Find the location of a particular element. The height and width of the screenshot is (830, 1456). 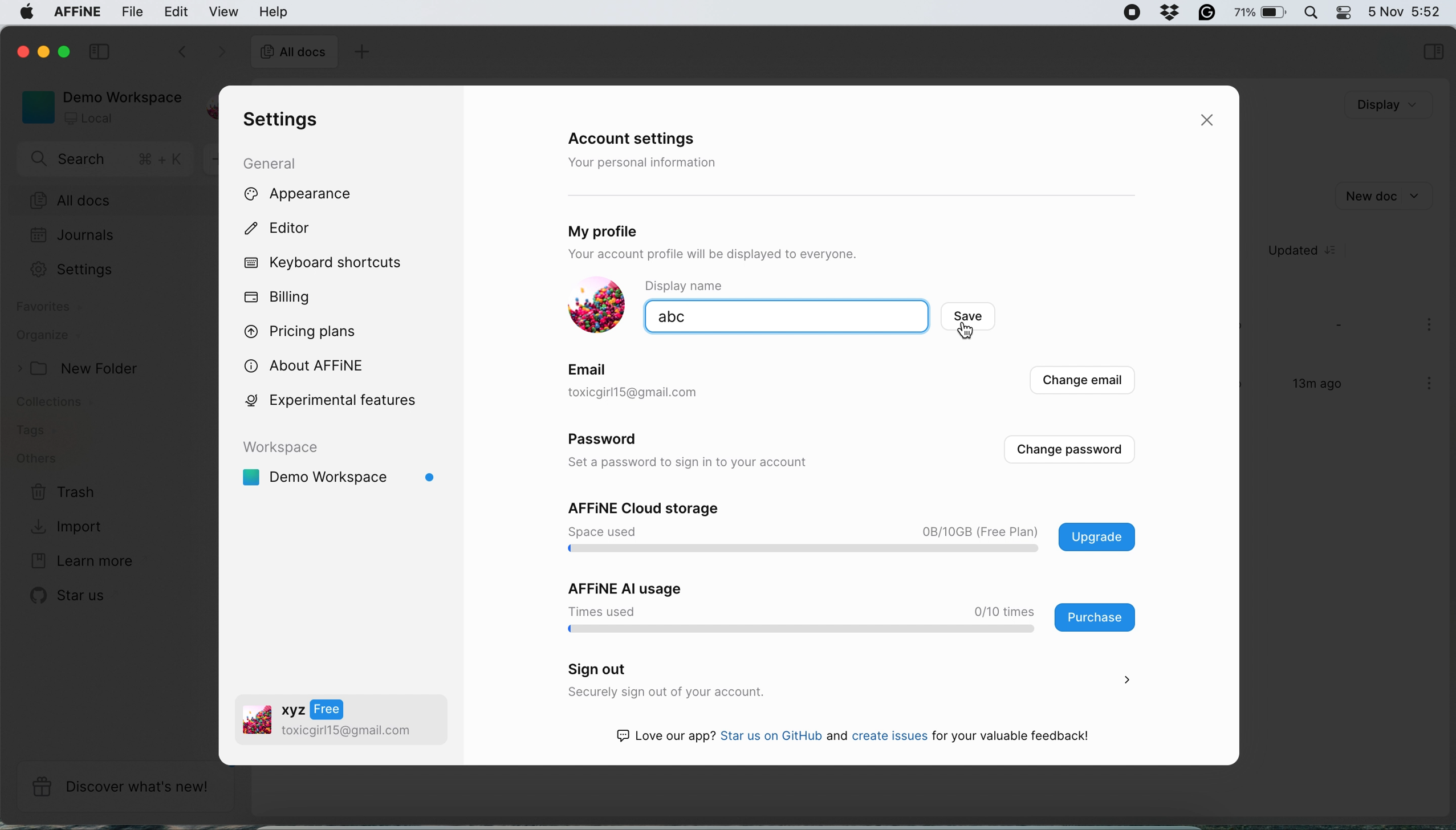

close is located at coordinates (21, 50).